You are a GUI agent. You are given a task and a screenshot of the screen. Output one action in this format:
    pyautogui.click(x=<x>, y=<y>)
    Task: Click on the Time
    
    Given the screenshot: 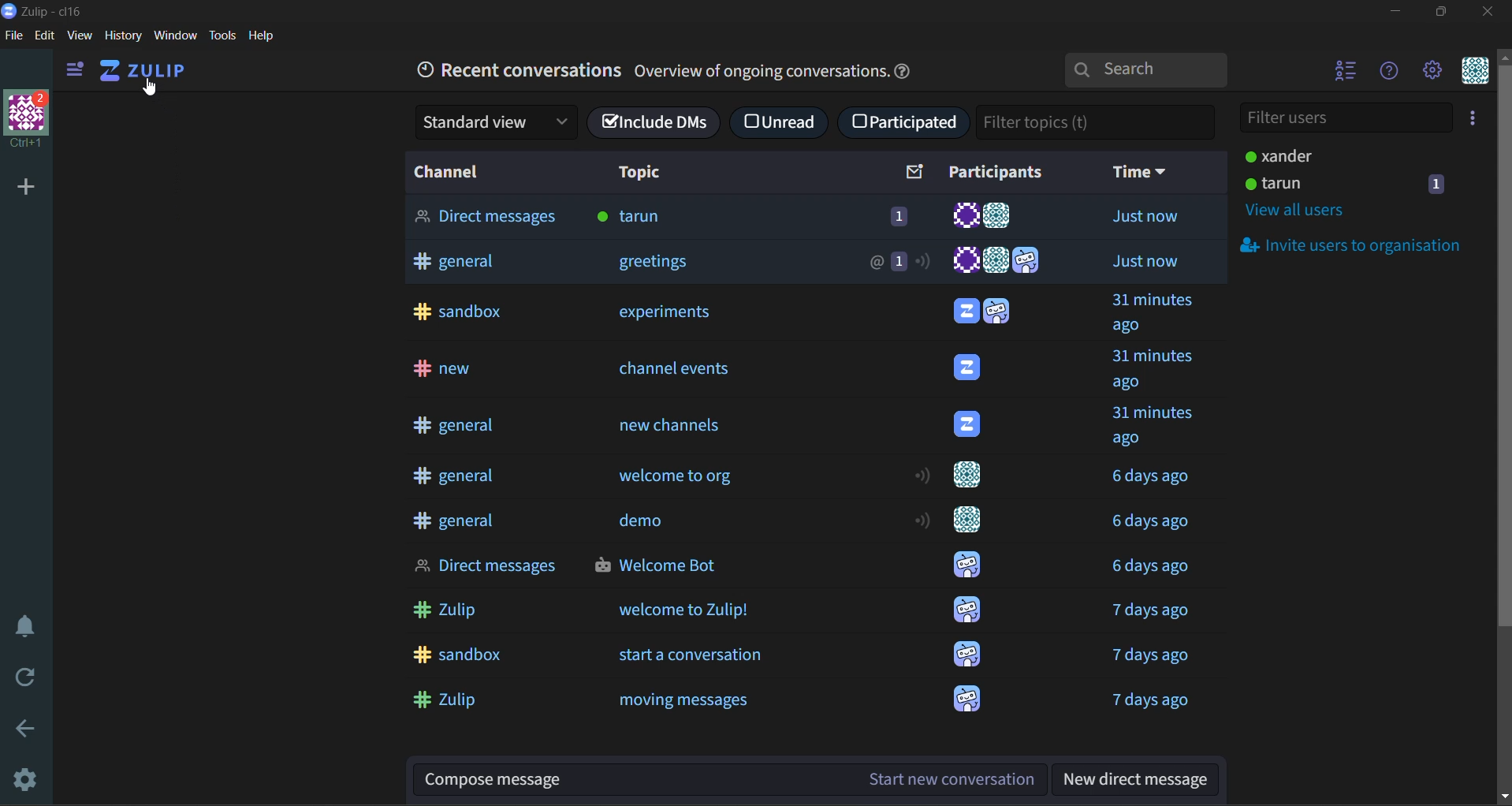 What is the action you would take?
    pyautogui.click(x=1156, y=478)
    